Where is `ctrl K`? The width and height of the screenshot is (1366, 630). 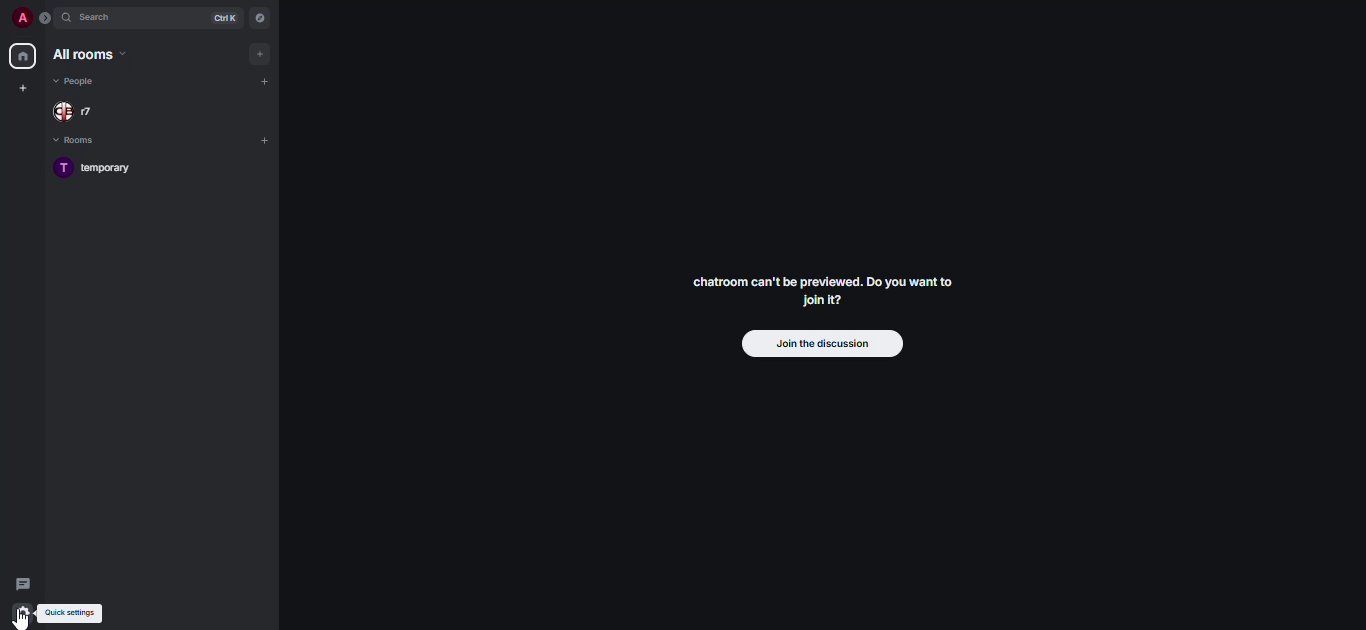
ctrl K is located at coordinates (221, 18).